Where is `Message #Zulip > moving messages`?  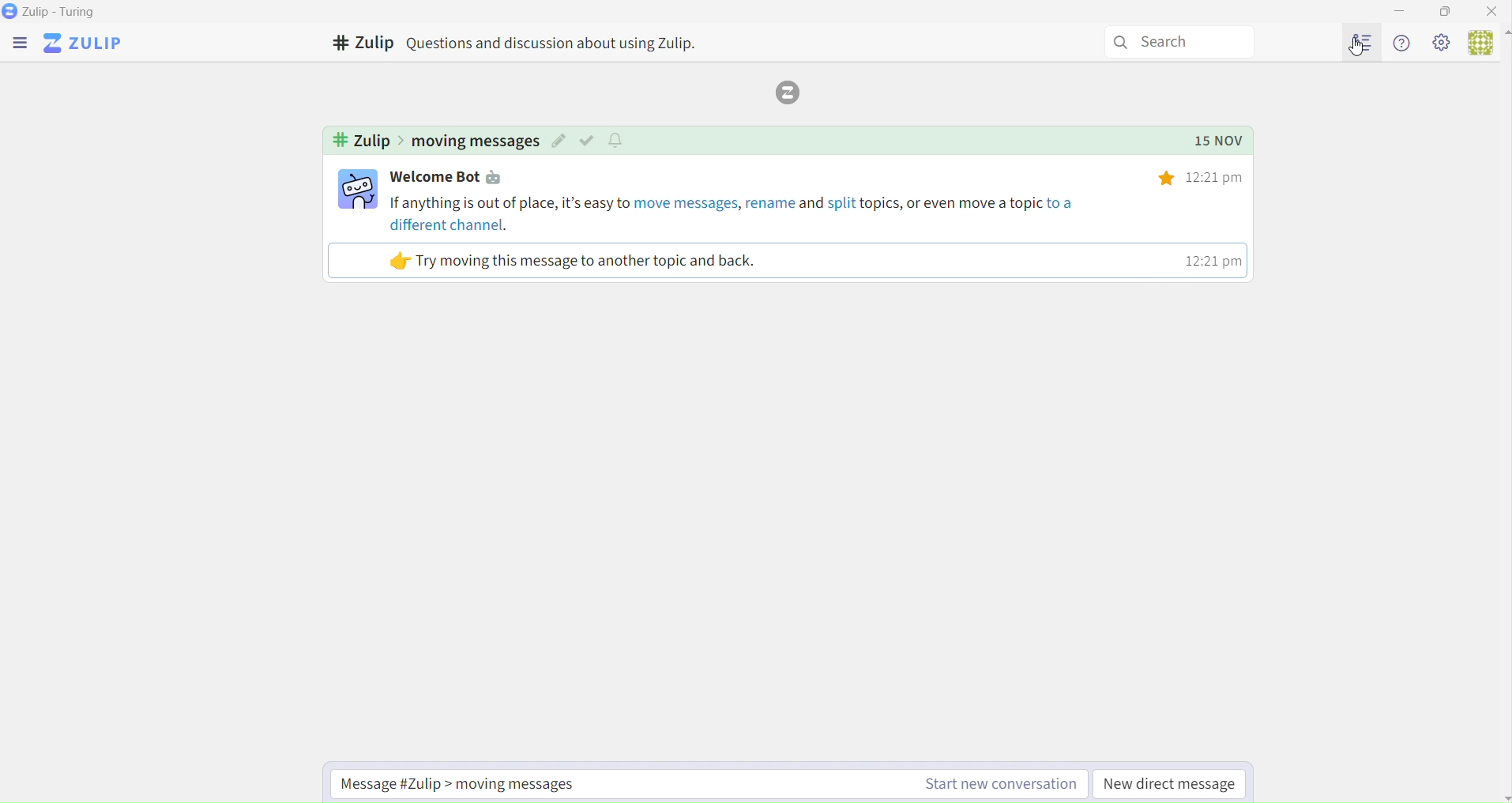 Message #Zulip > moving messages is located at coordinates (469, 783).